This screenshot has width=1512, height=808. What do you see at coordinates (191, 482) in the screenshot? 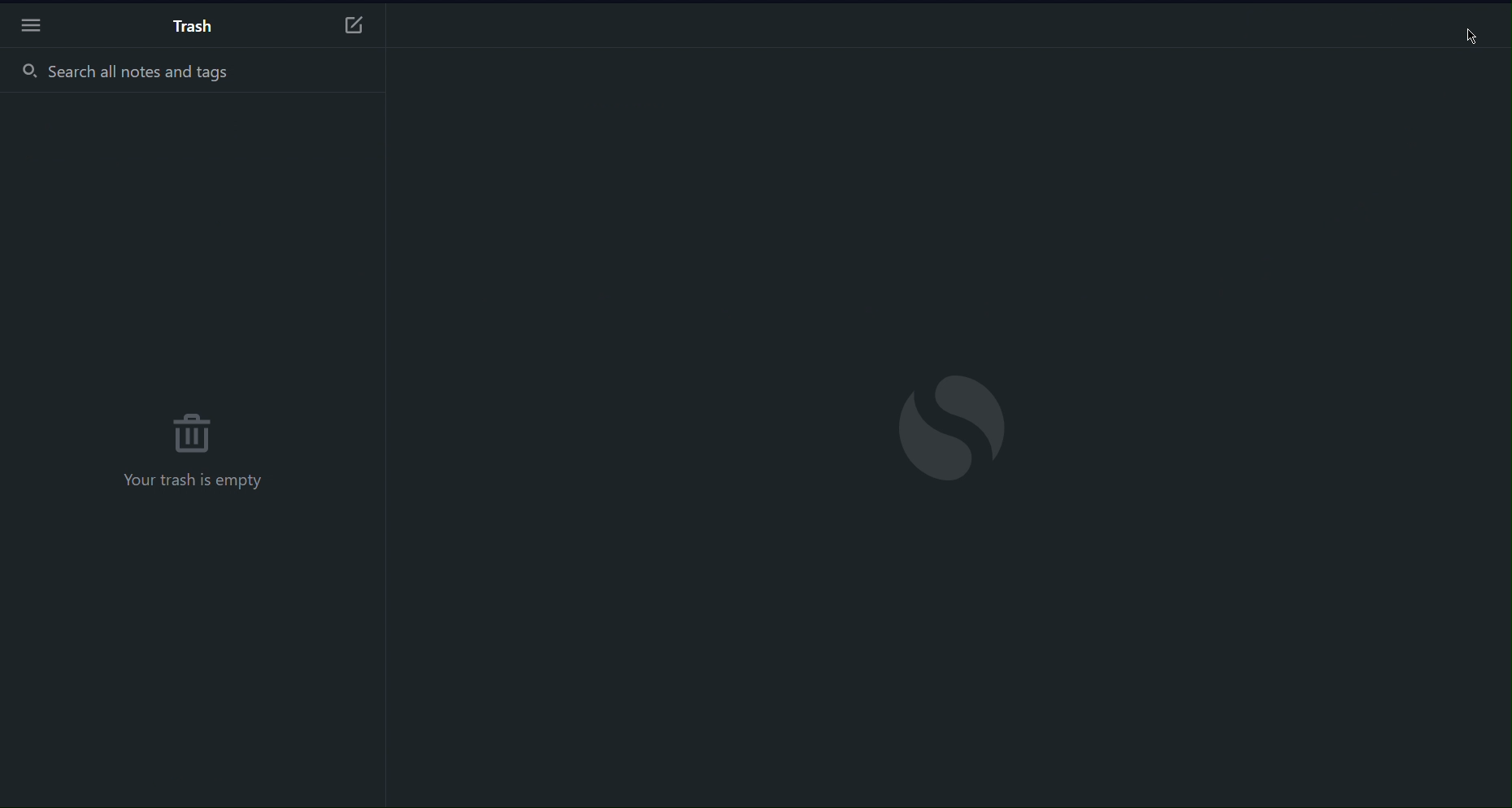
I see `Your Trash is empty` at bounding box center [191, 482].